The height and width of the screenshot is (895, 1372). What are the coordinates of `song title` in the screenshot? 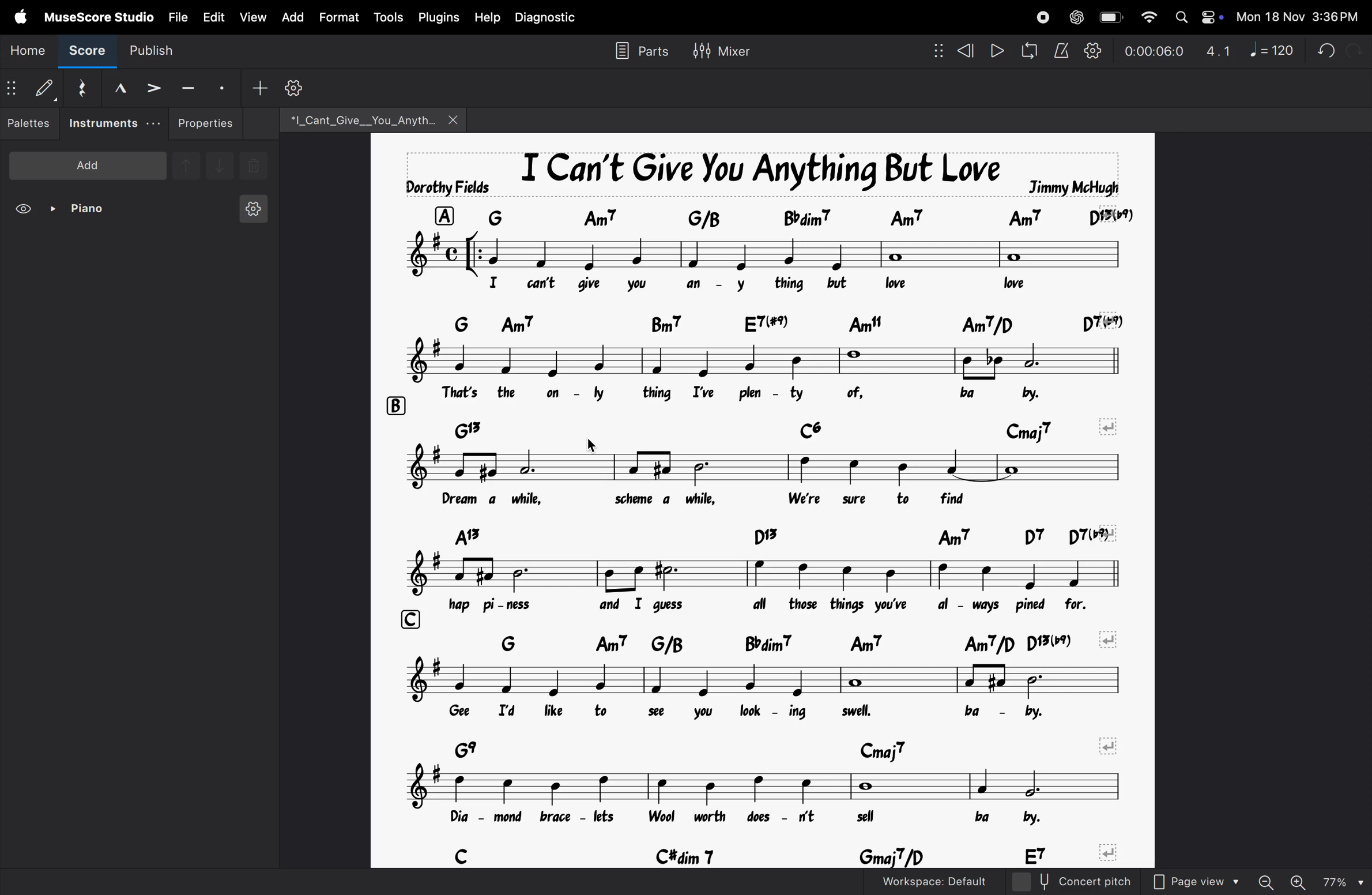 It's located at (753, 174).